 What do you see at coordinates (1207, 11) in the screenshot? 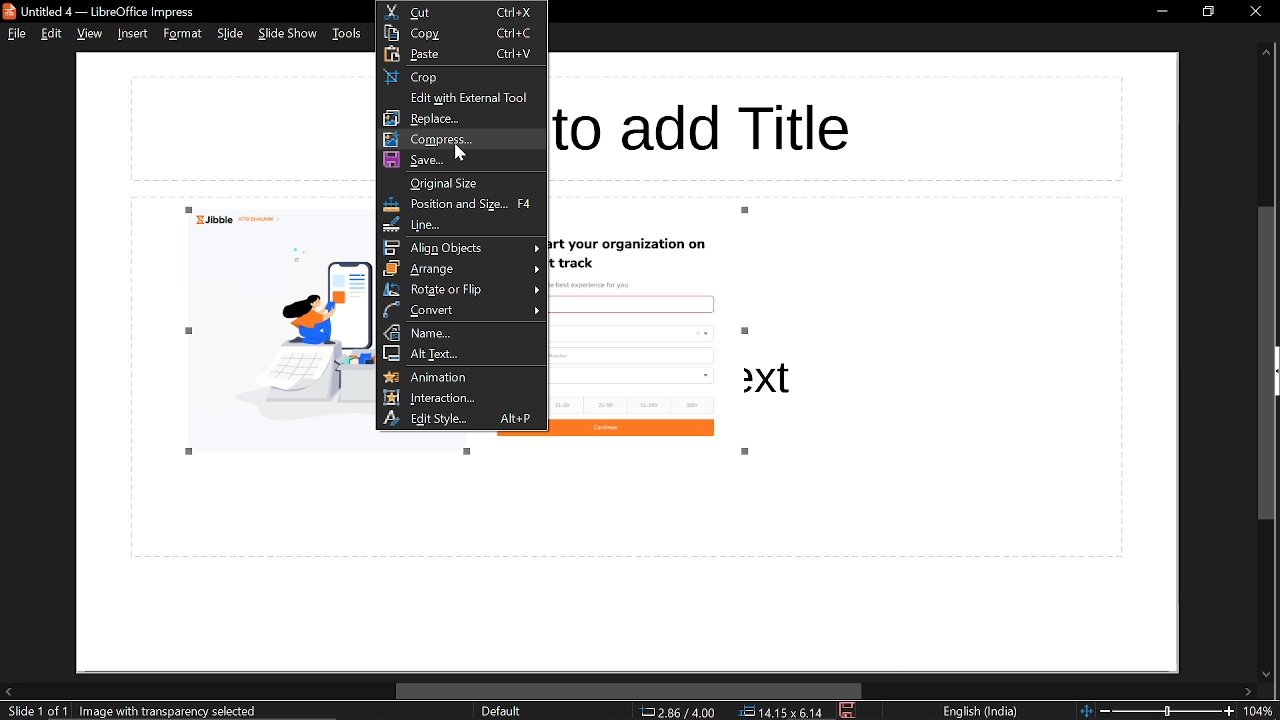
I see `restore down` at bounding box center [1207, 11].